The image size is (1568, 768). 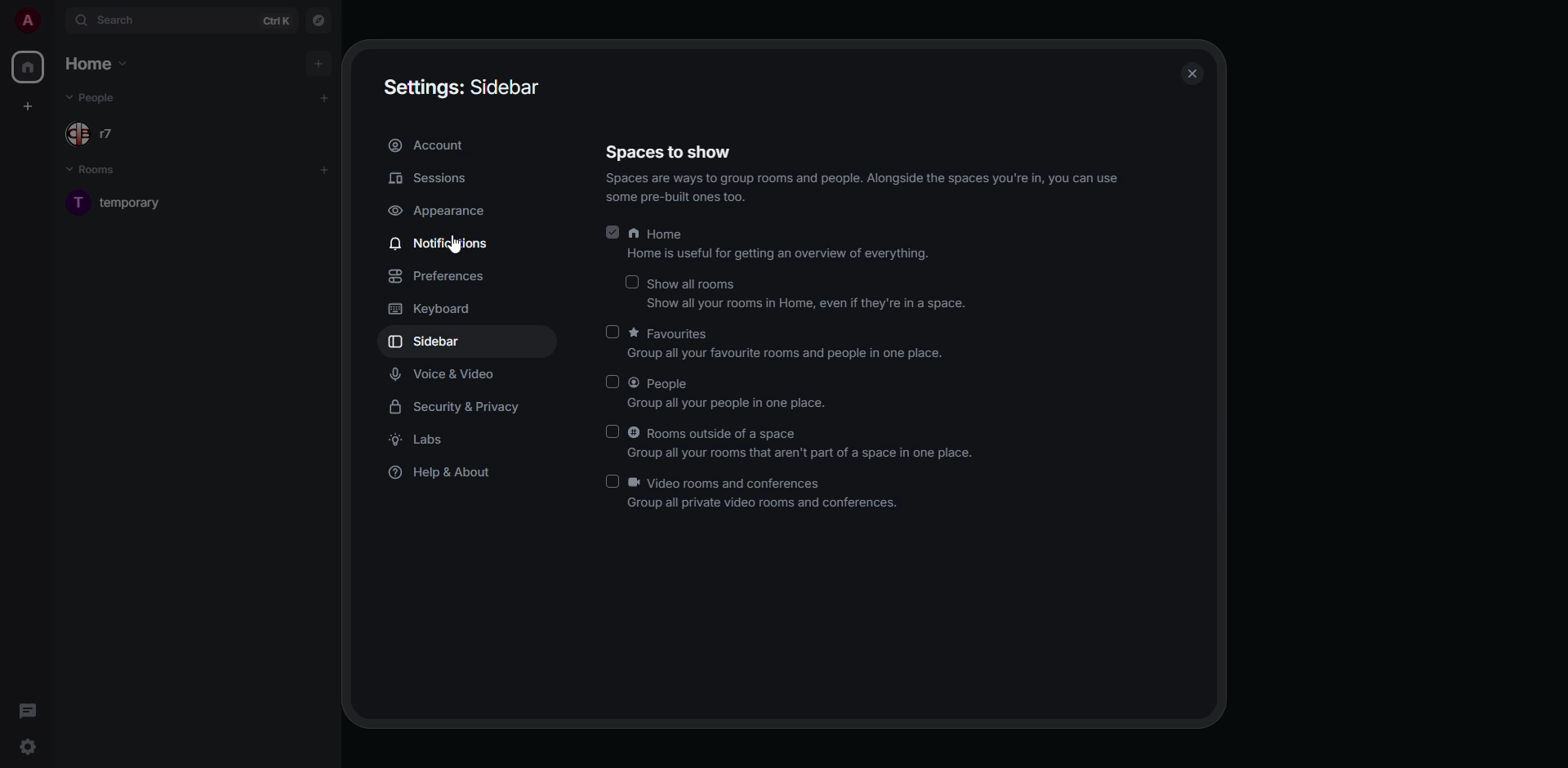 I want to click on rooms, so click(x=98, y=171).